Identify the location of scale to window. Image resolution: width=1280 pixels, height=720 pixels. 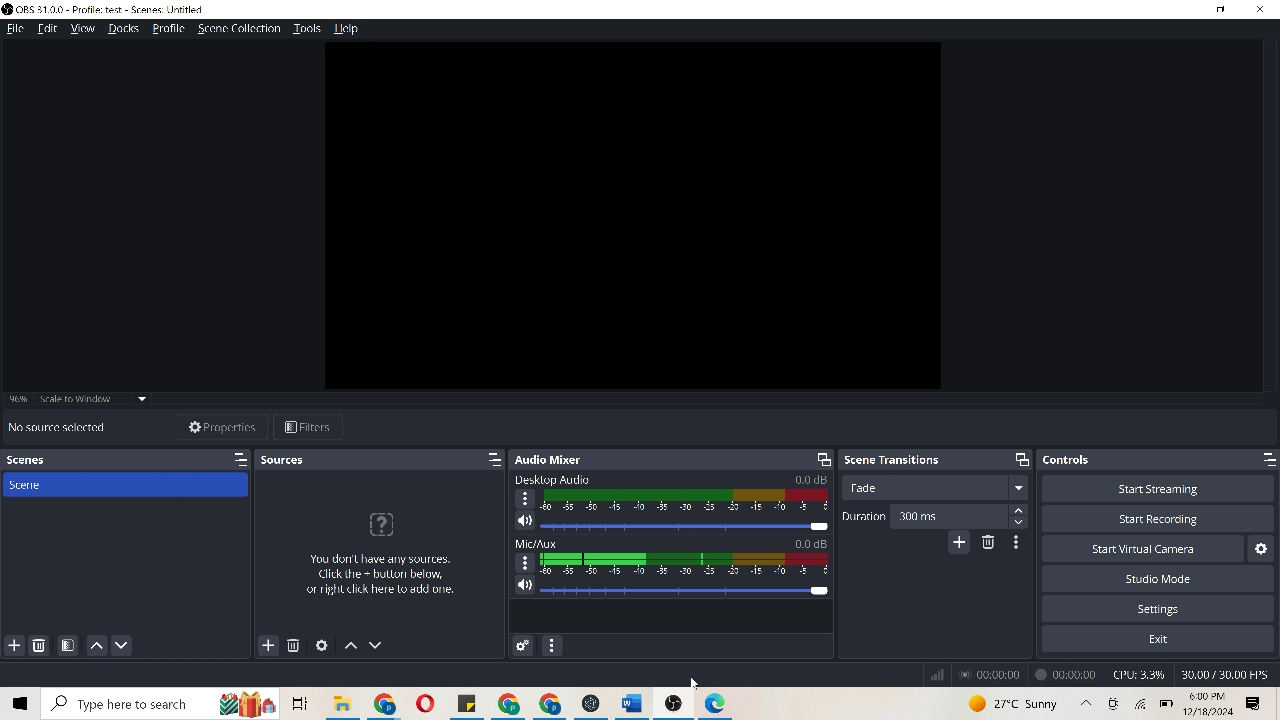
(92, 402).